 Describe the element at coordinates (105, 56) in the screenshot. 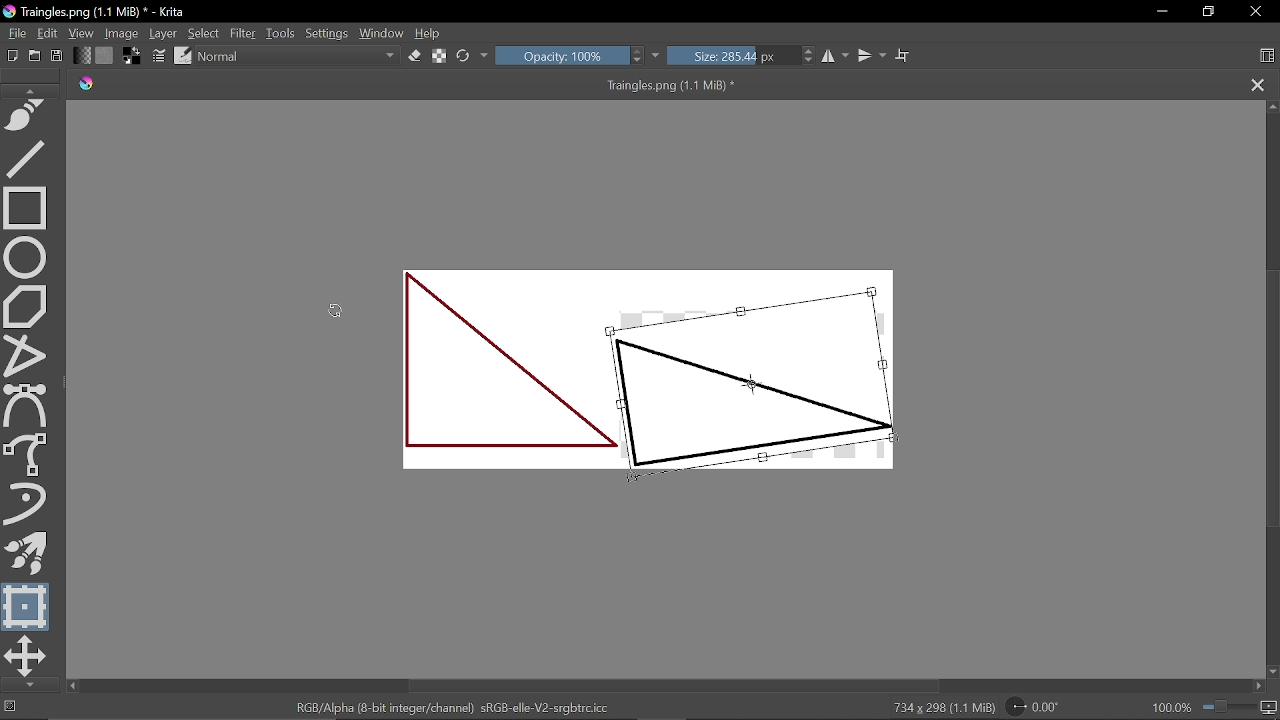

I see `Fill pattern` at that location.